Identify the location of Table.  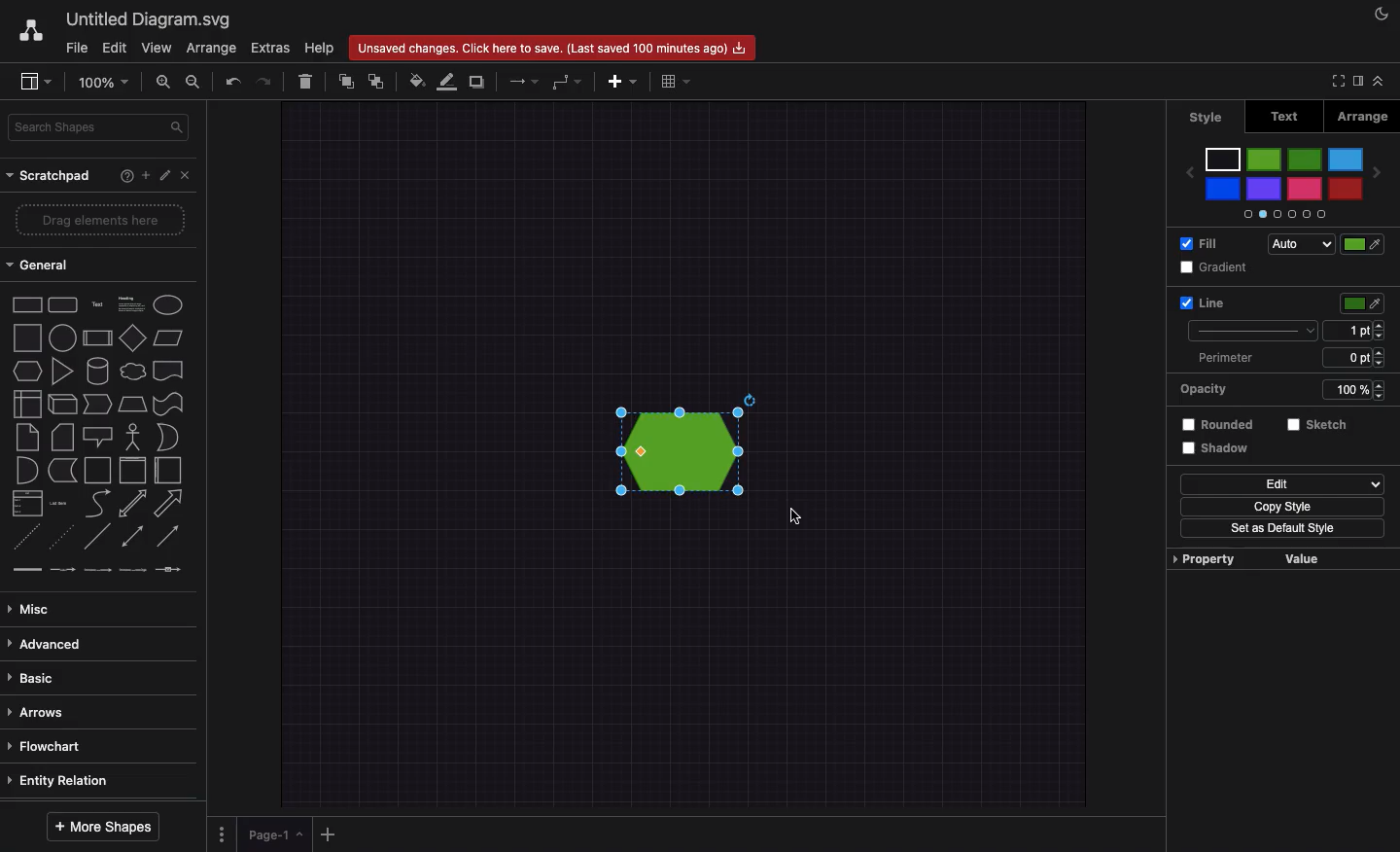
(673, 84).